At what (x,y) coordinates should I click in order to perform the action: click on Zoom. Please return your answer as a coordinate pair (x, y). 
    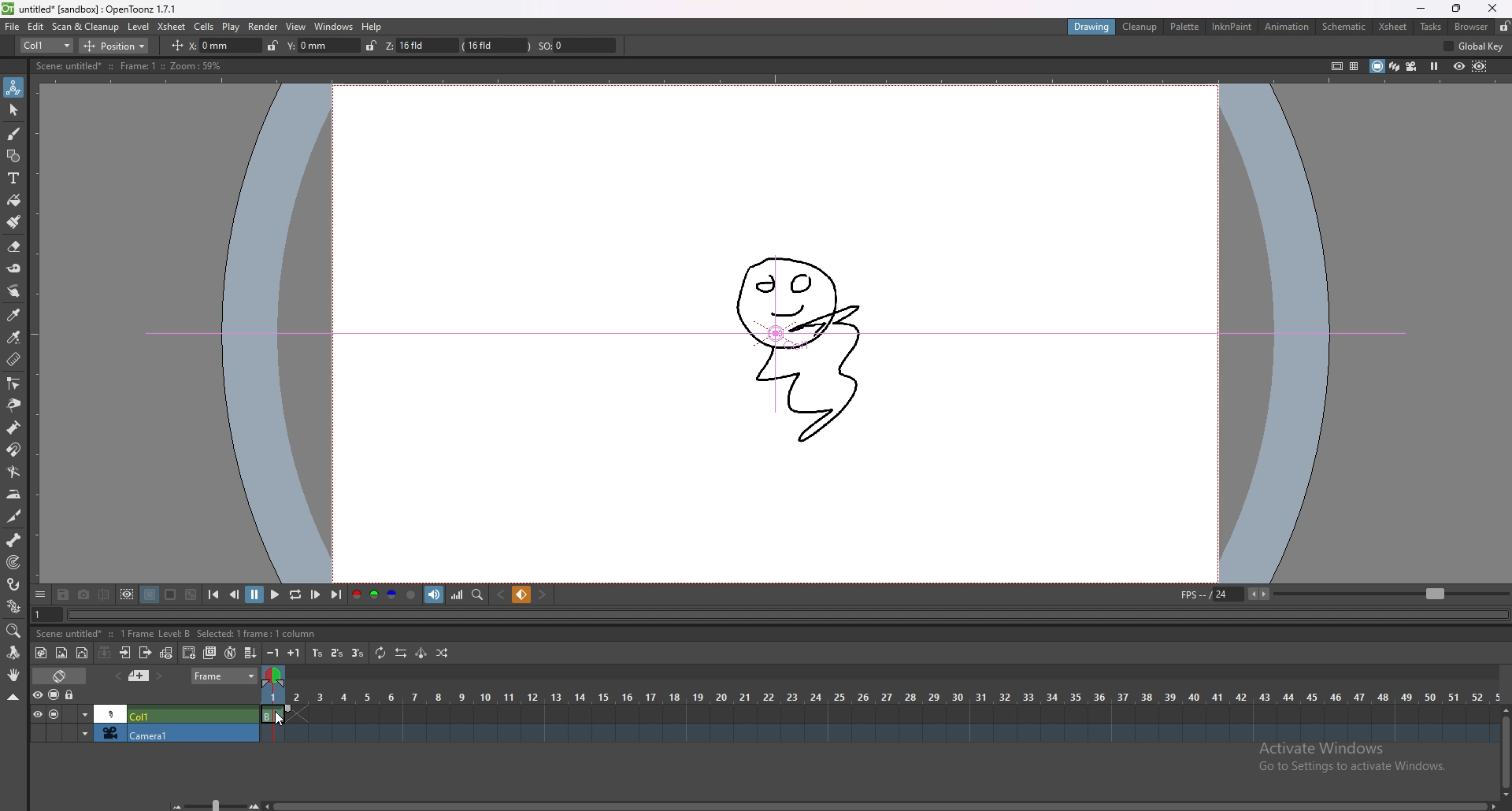
    Looking at the image, I should click on (211, 802).